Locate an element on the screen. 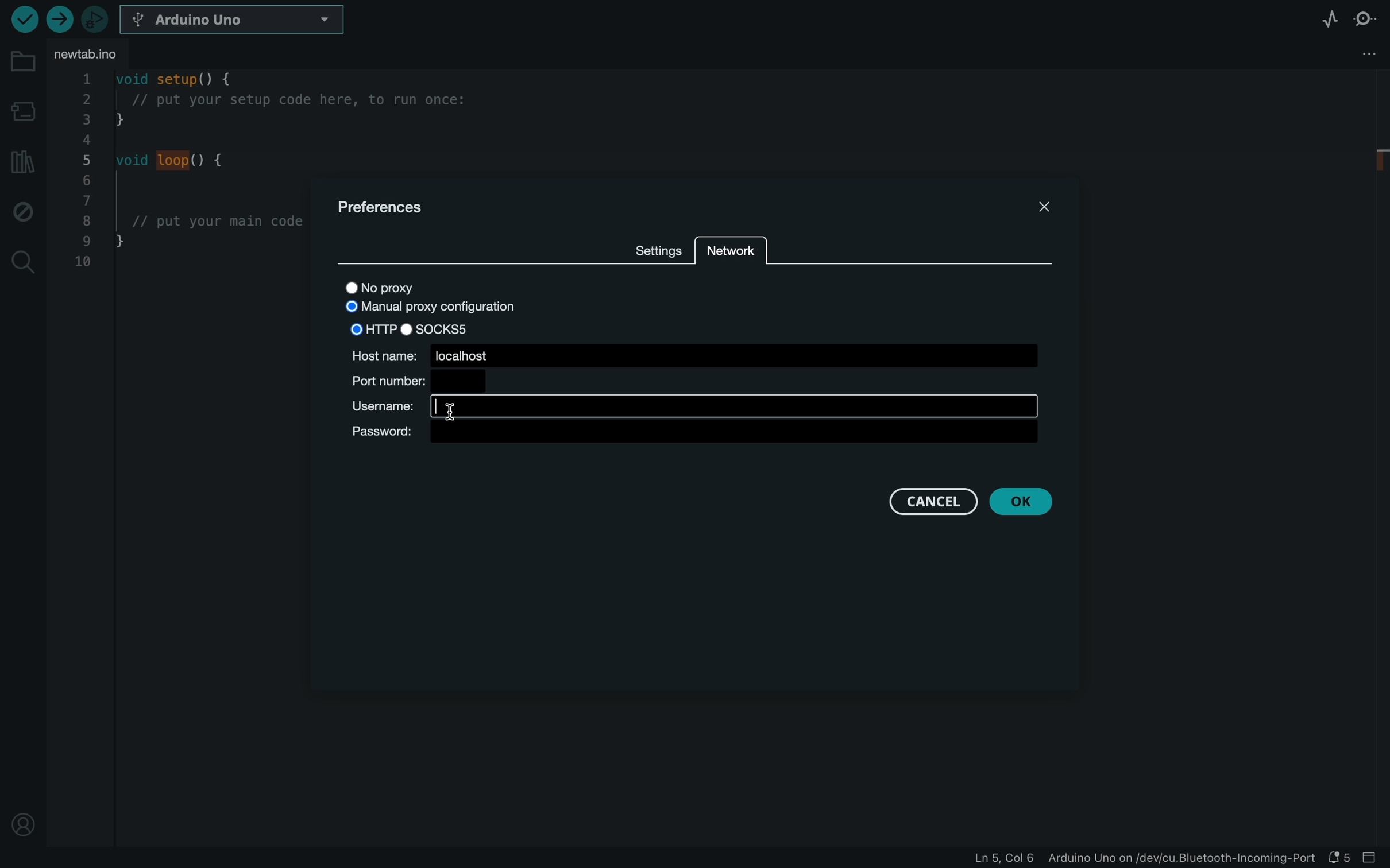 Image resolution: width=1390 pixels, height=868 pixels. libraries manager is located at coordinates (21, 162).